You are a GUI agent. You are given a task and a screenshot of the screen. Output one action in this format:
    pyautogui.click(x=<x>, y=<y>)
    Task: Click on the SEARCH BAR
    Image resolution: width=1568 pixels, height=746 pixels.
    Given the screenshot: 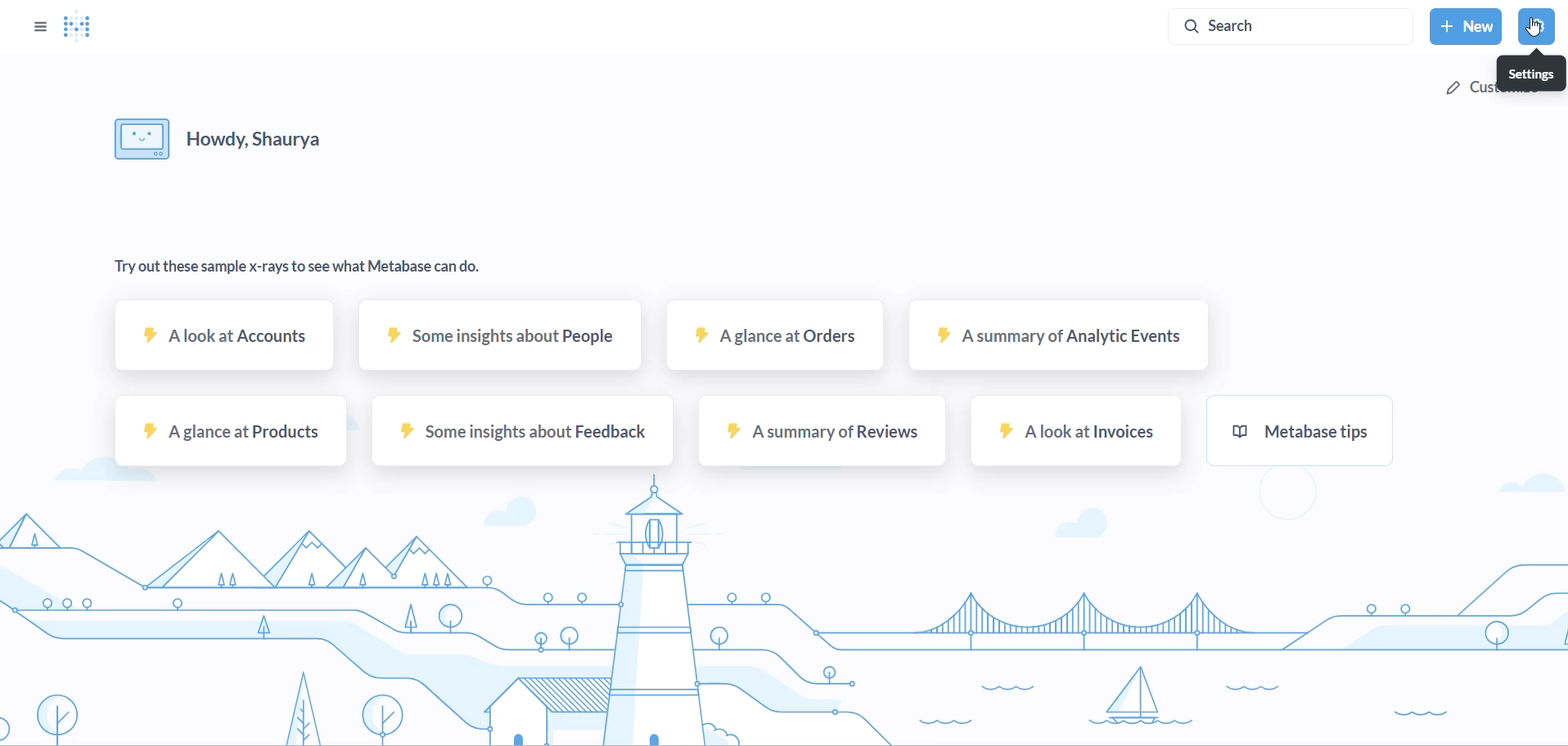 What is the action you would take?
    pyautogui.click(x=1282, y=24)
    